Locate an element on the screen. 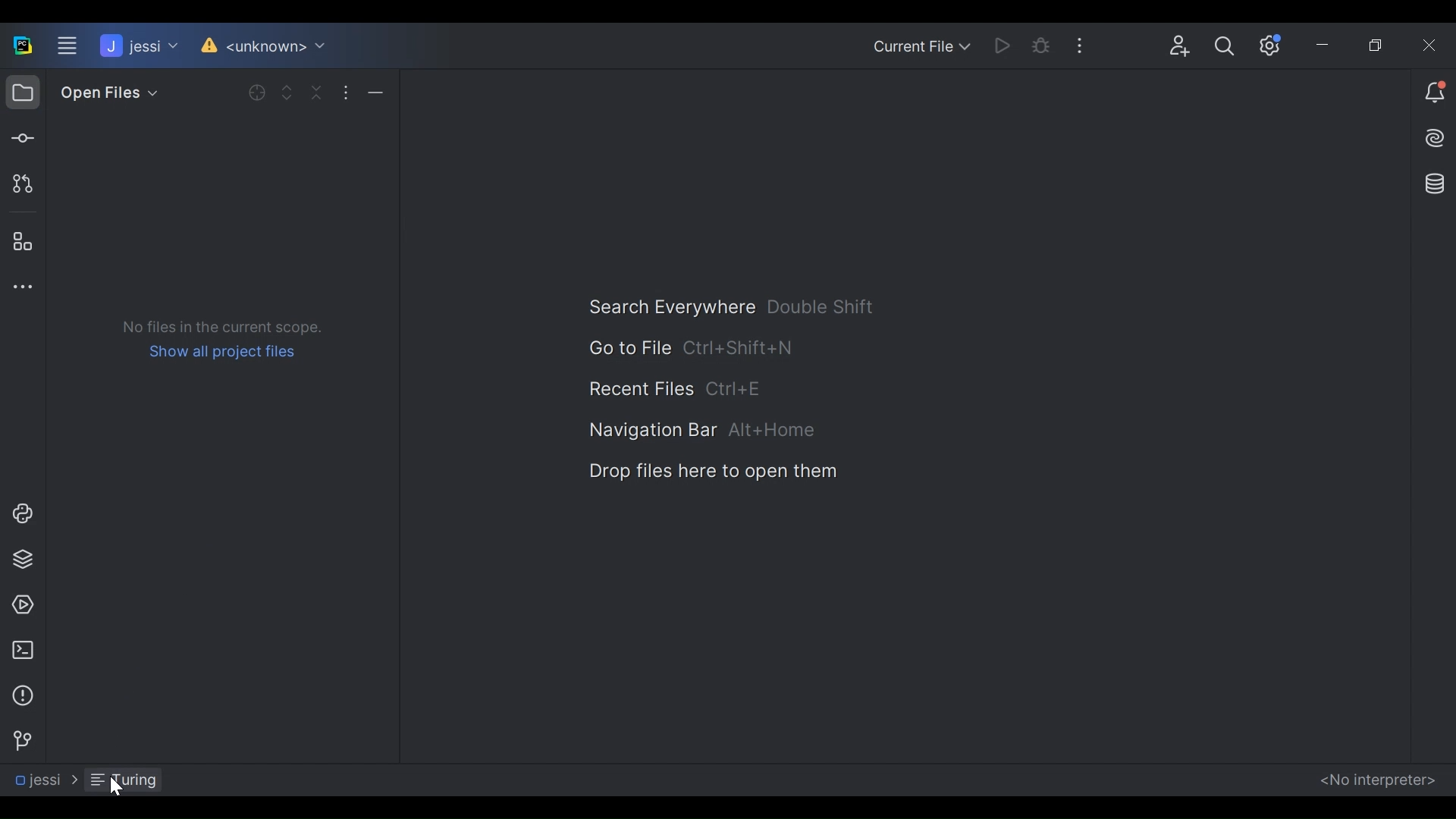  Terminal is located at coordinates (20, 651).